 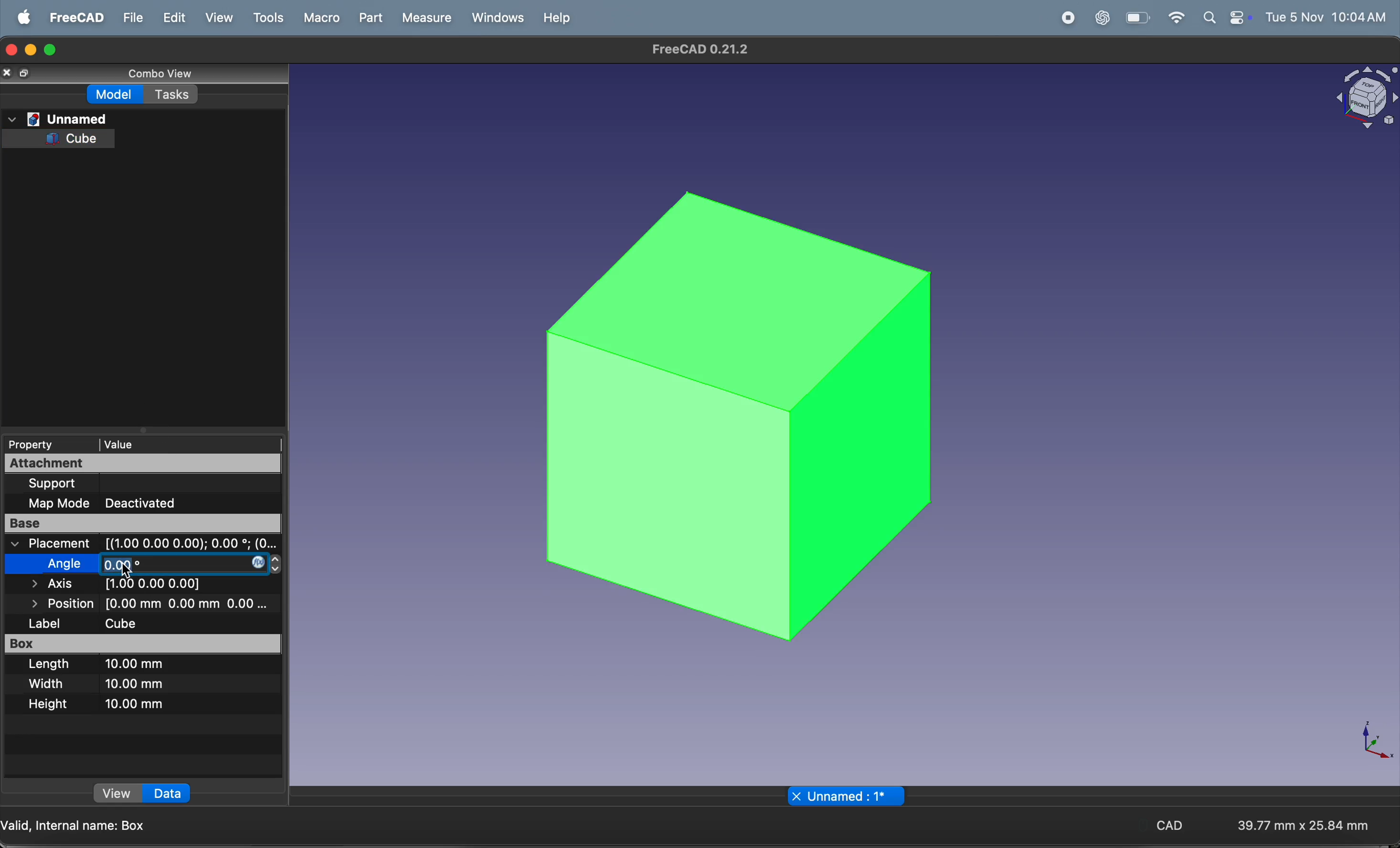 I want to click on 3d cube, so click(x=718, y=412).